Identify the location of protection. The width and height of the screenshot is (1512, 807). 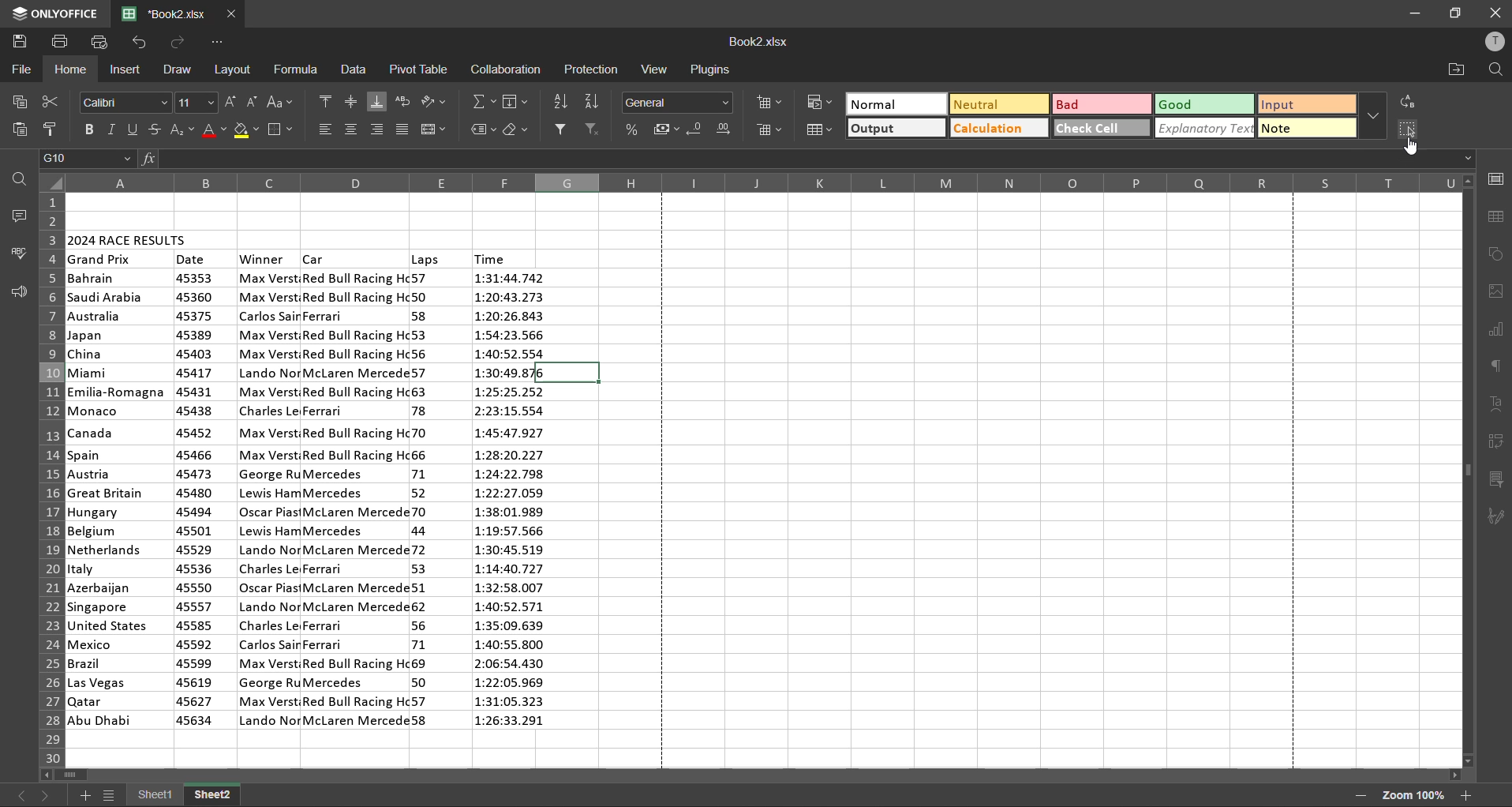
(593, 72).